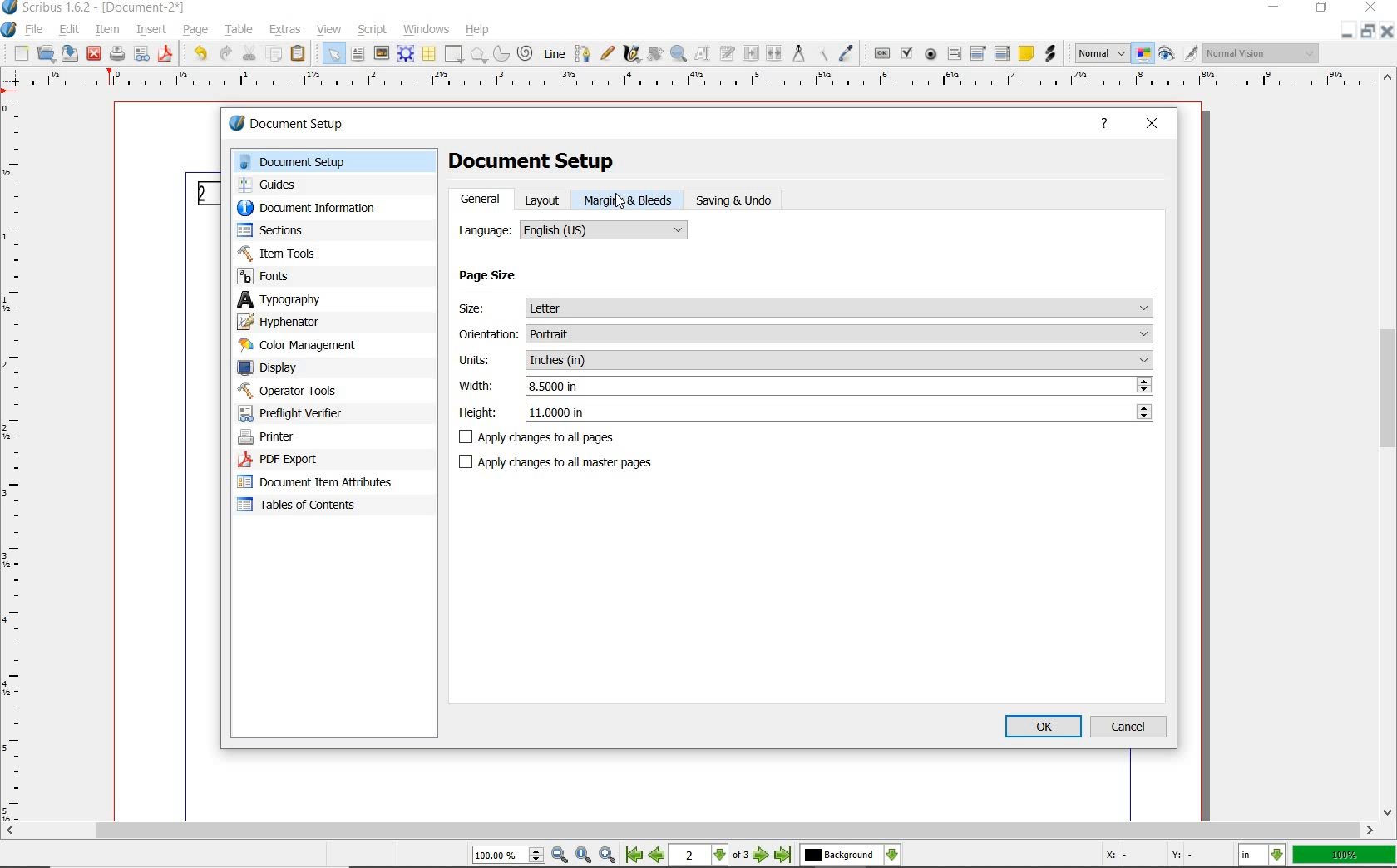  Describe the element at coordinates (1043, 726) in the screenshot. I see `ok` at that location.